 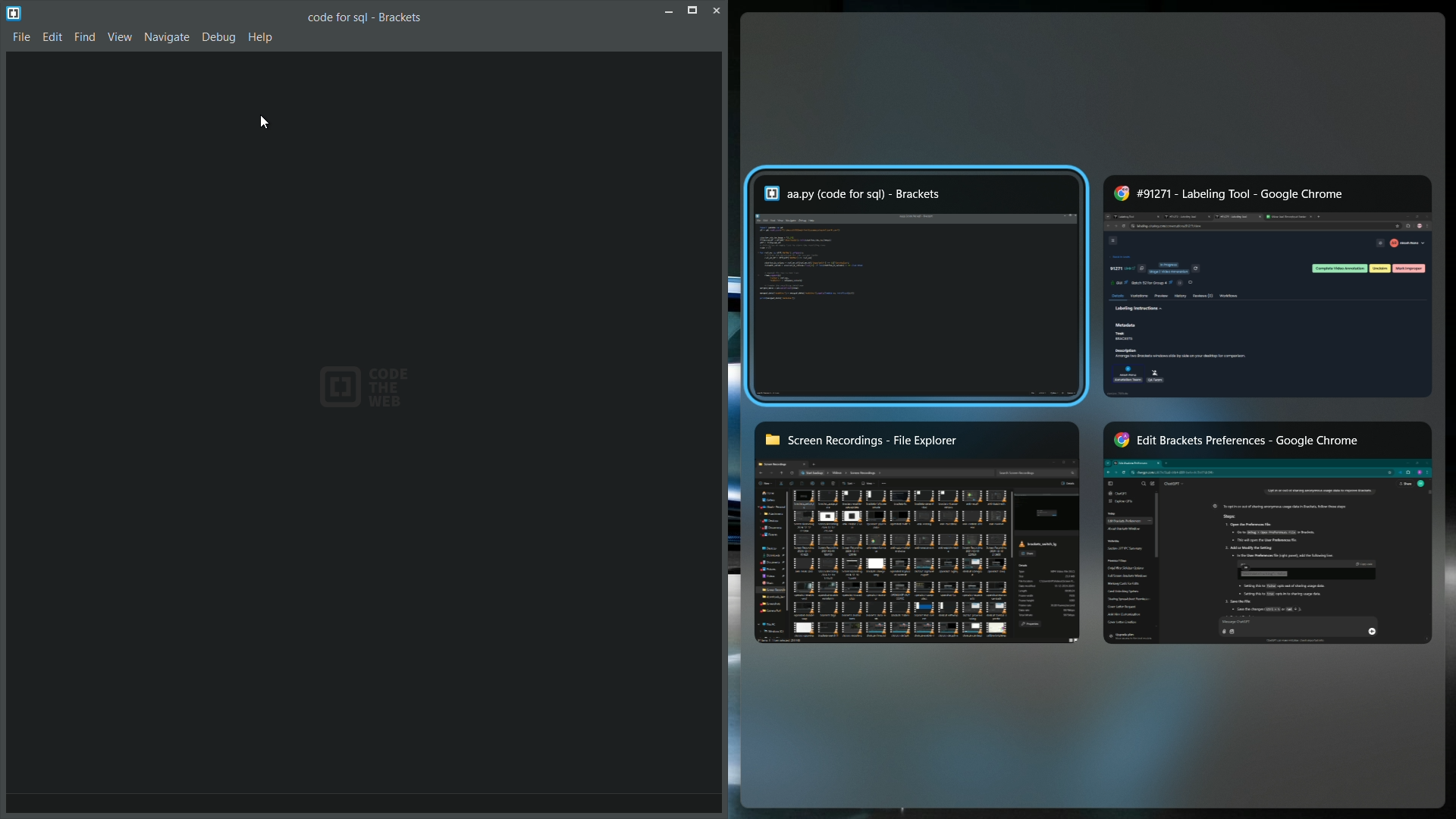 What do you see at coordinates (717, 11) in the screenshot?
I see `cancel` at bounding box center [717, 11].